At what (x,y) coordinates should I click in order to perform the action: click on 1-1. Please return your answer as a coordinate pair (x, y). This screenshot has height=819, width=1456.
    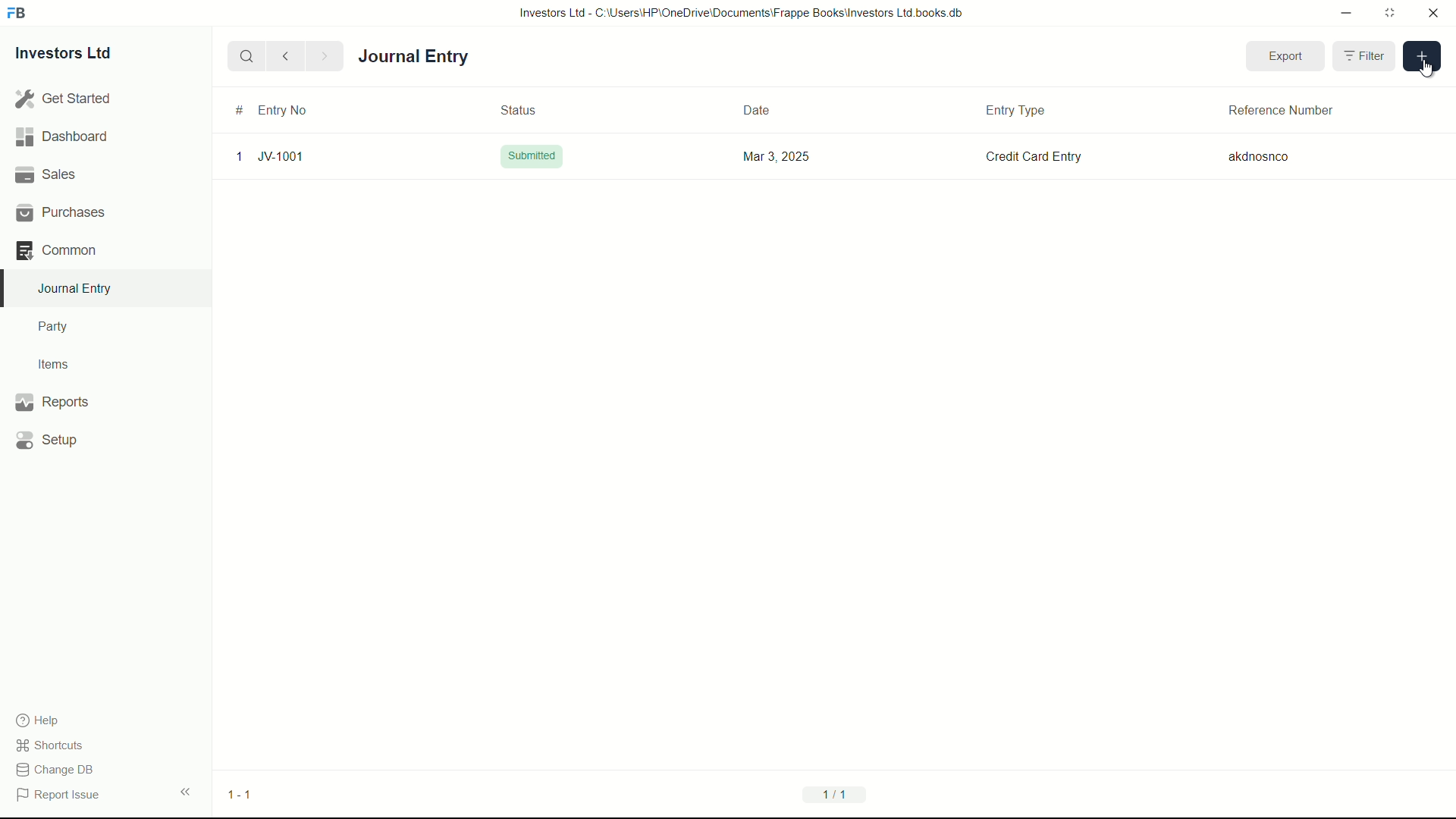
    Looking at the image, I should click on (243, 796).